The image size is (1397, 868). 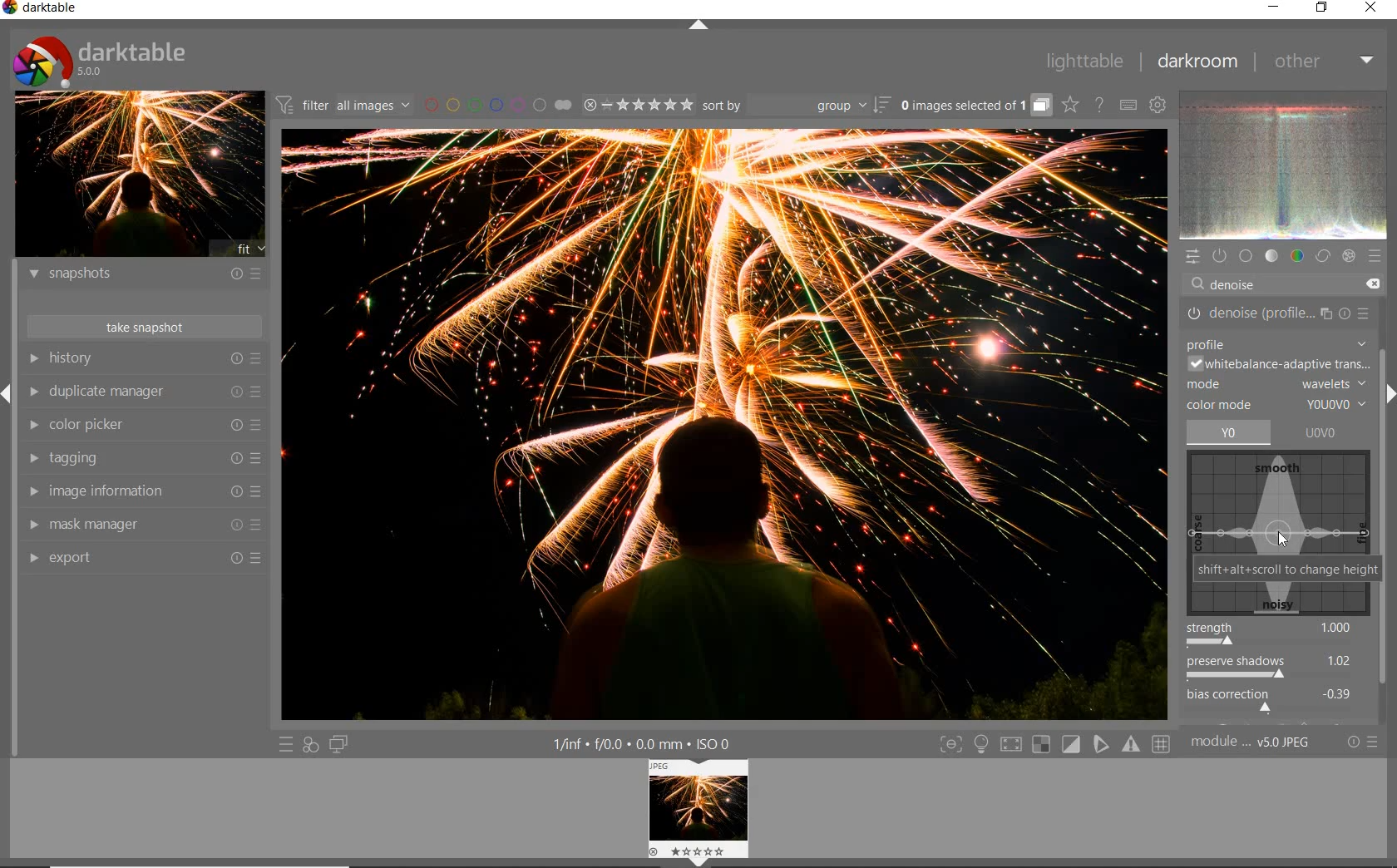 I want to click on image information, so click(x=144, y=491).